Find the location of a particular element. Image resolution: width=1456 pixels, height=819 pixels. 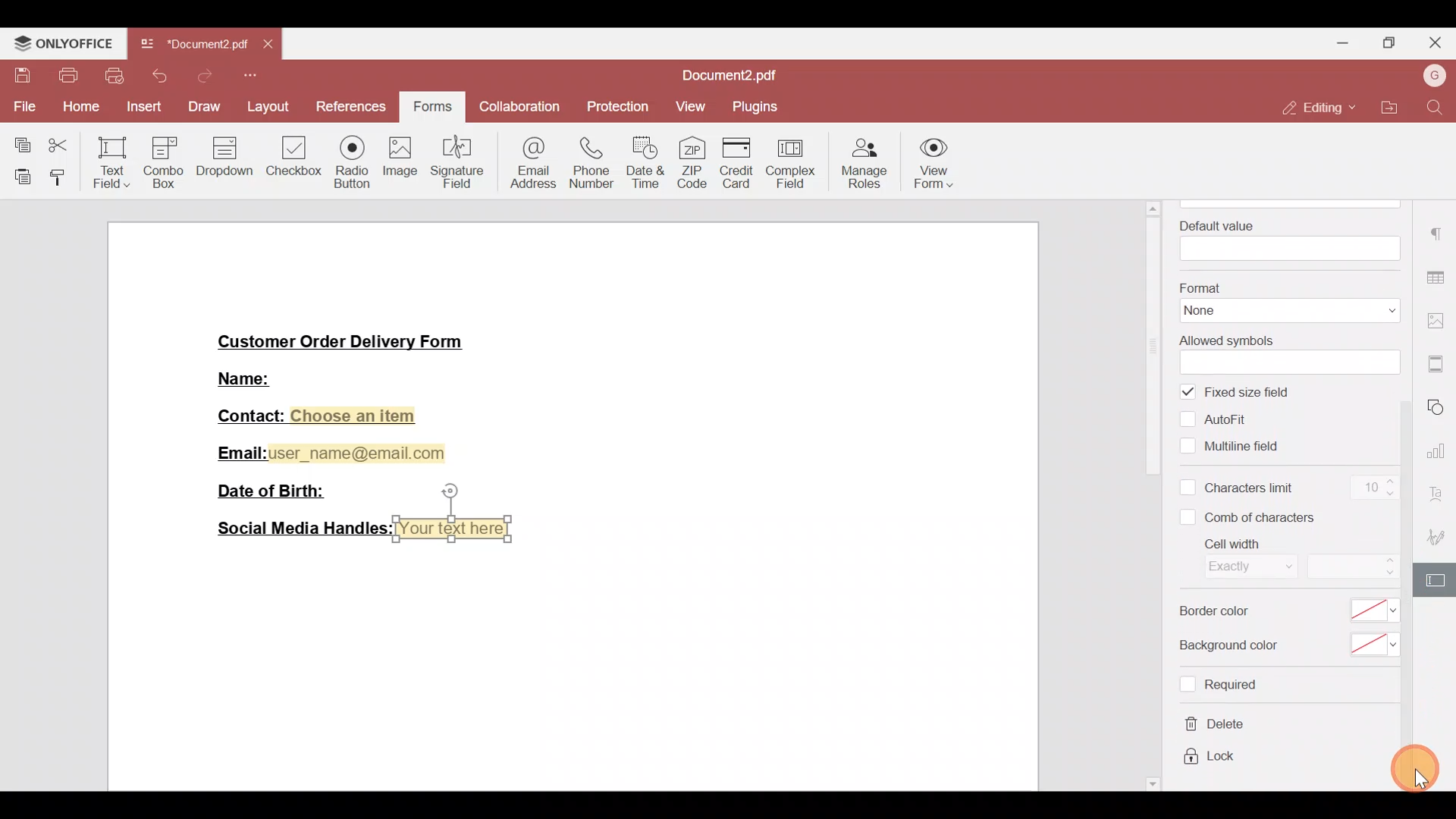

File is located at coordinates (24, 106).